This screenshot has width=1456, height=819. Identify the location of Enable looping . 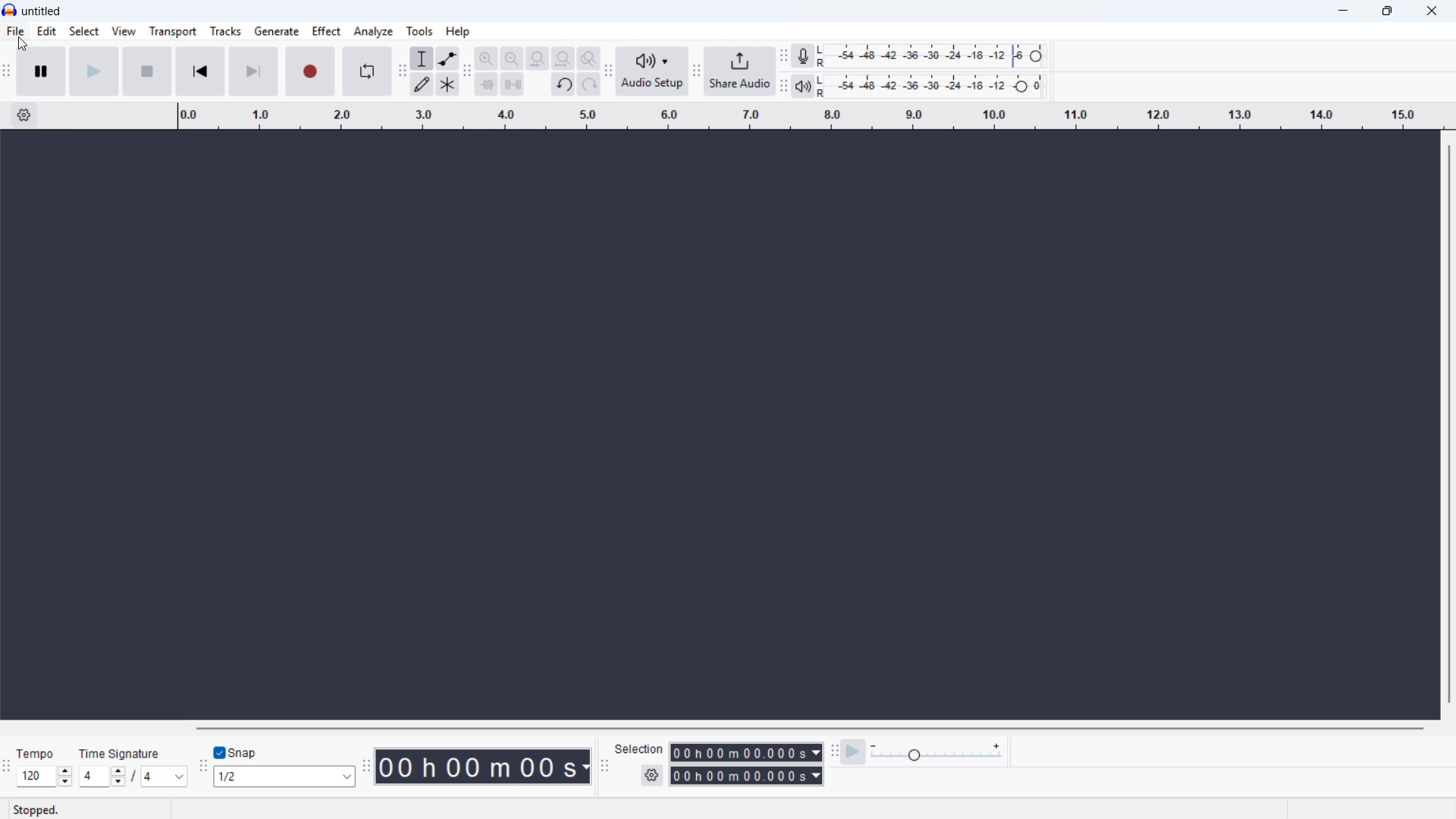
(366, 71).